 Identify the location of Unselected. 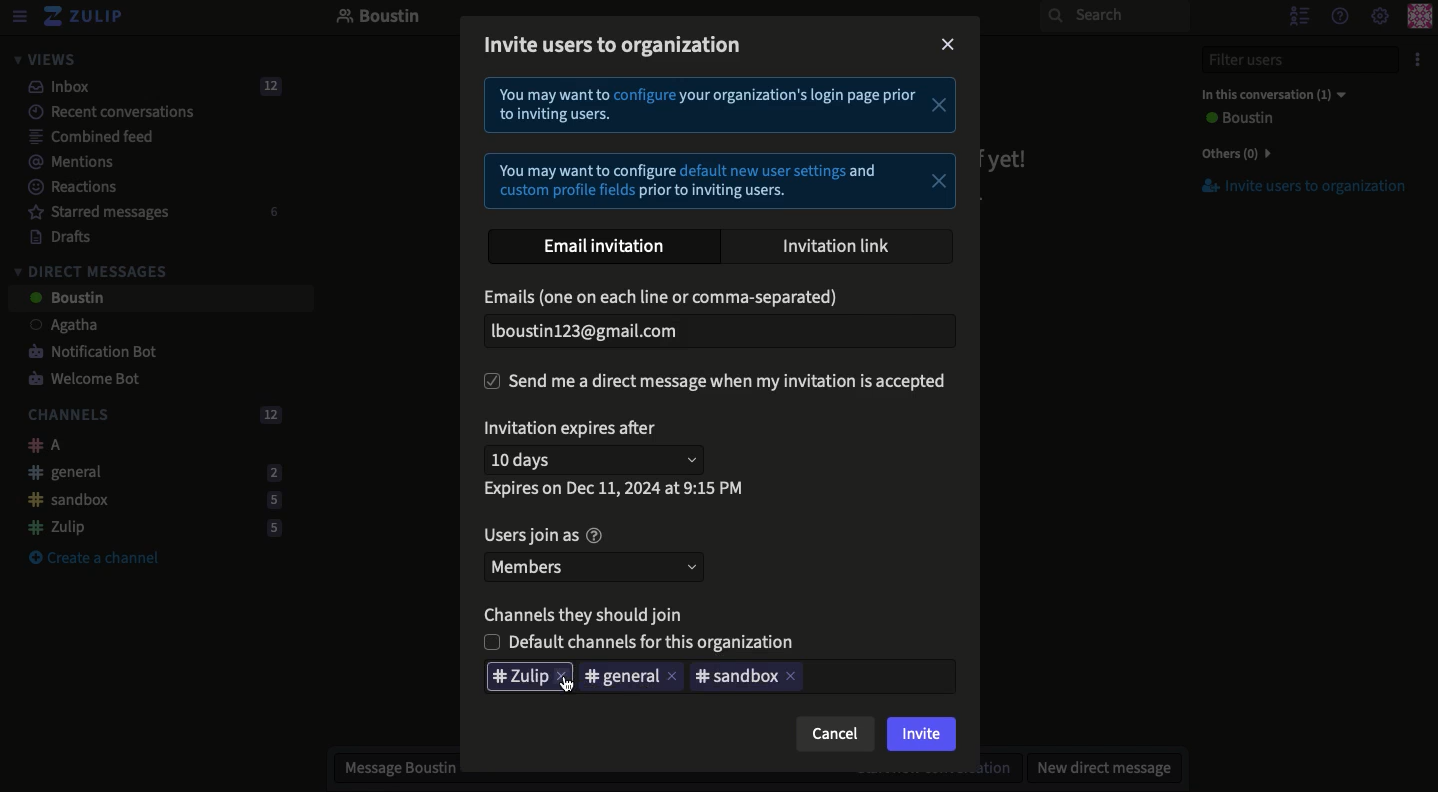
(647, 642).